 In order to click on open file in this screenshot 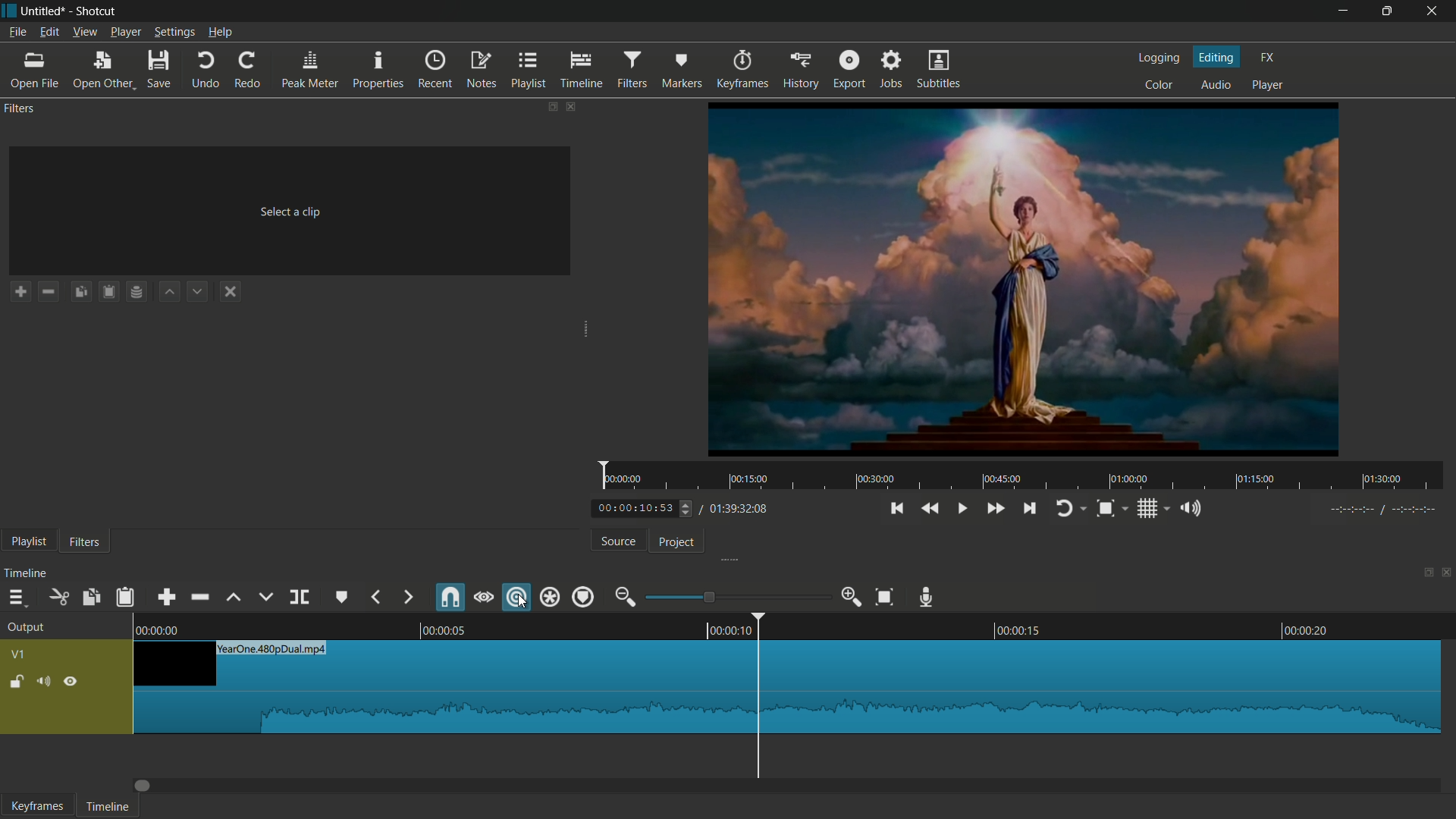, I will do `click(33, 70)`.